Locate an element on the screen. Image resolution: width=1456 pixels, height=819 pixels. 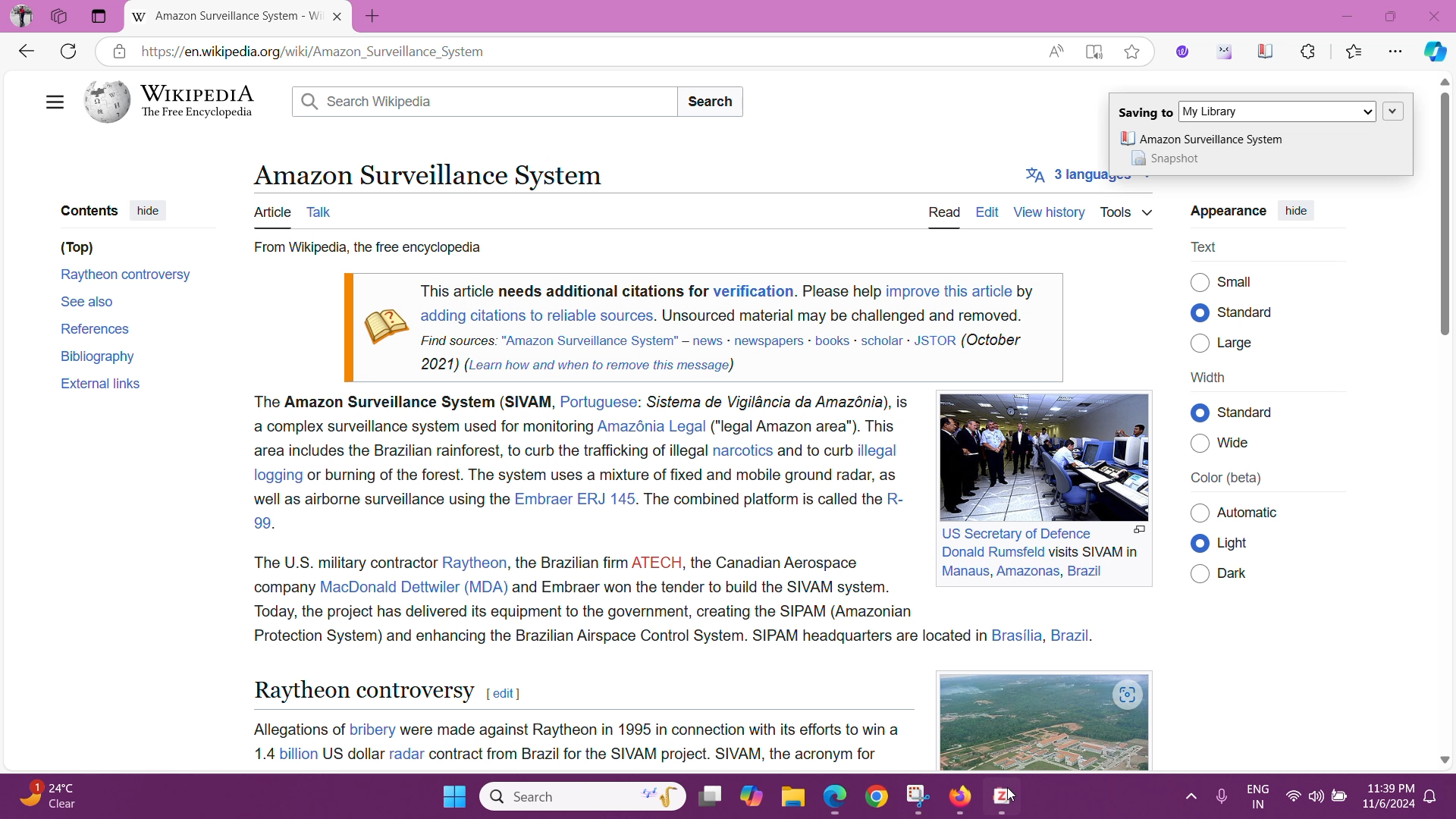
edge is located at coordinates (834, 799).